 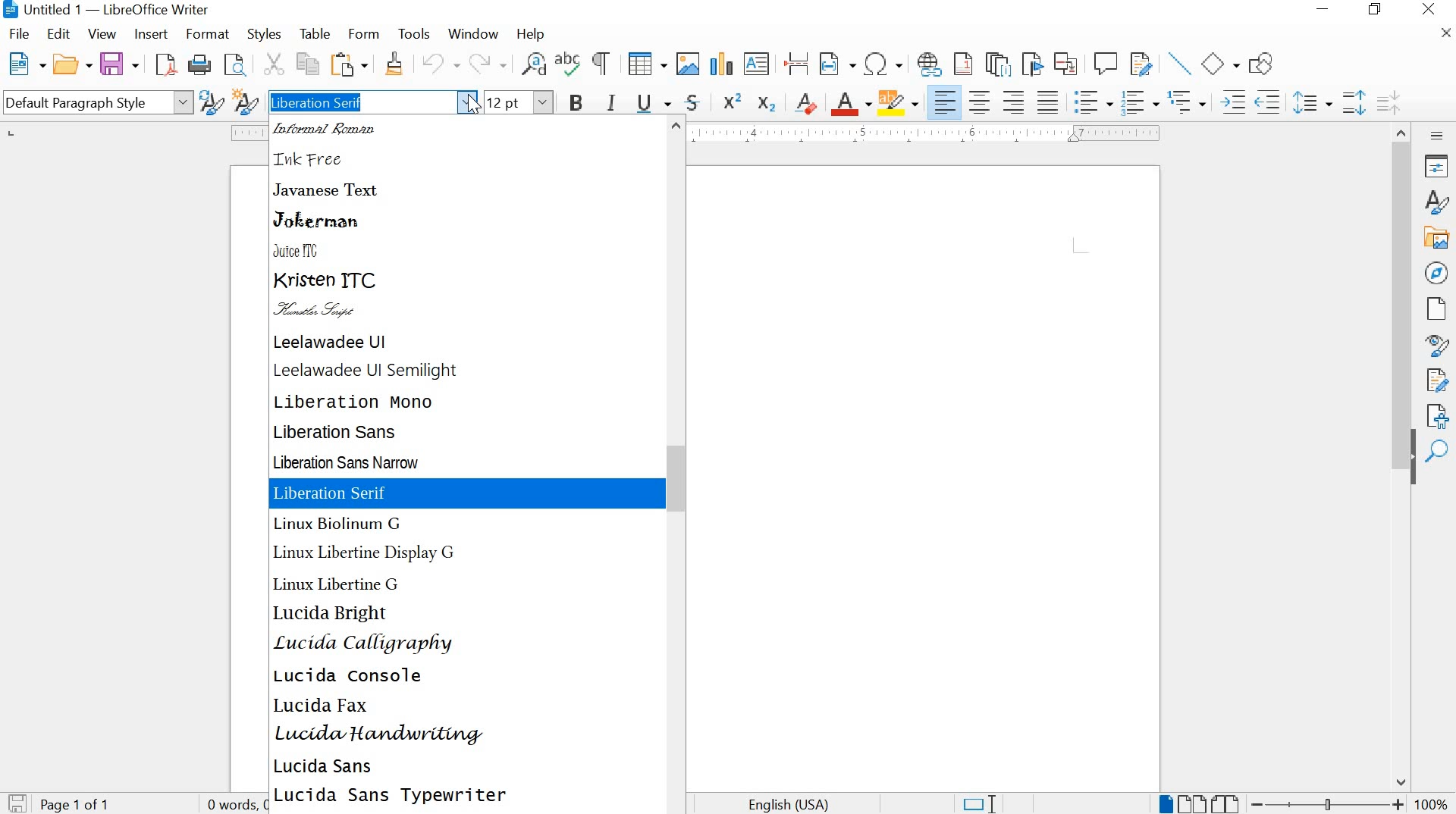 I want to click on JAVANESE TEXT, so click(x=327, y=189).